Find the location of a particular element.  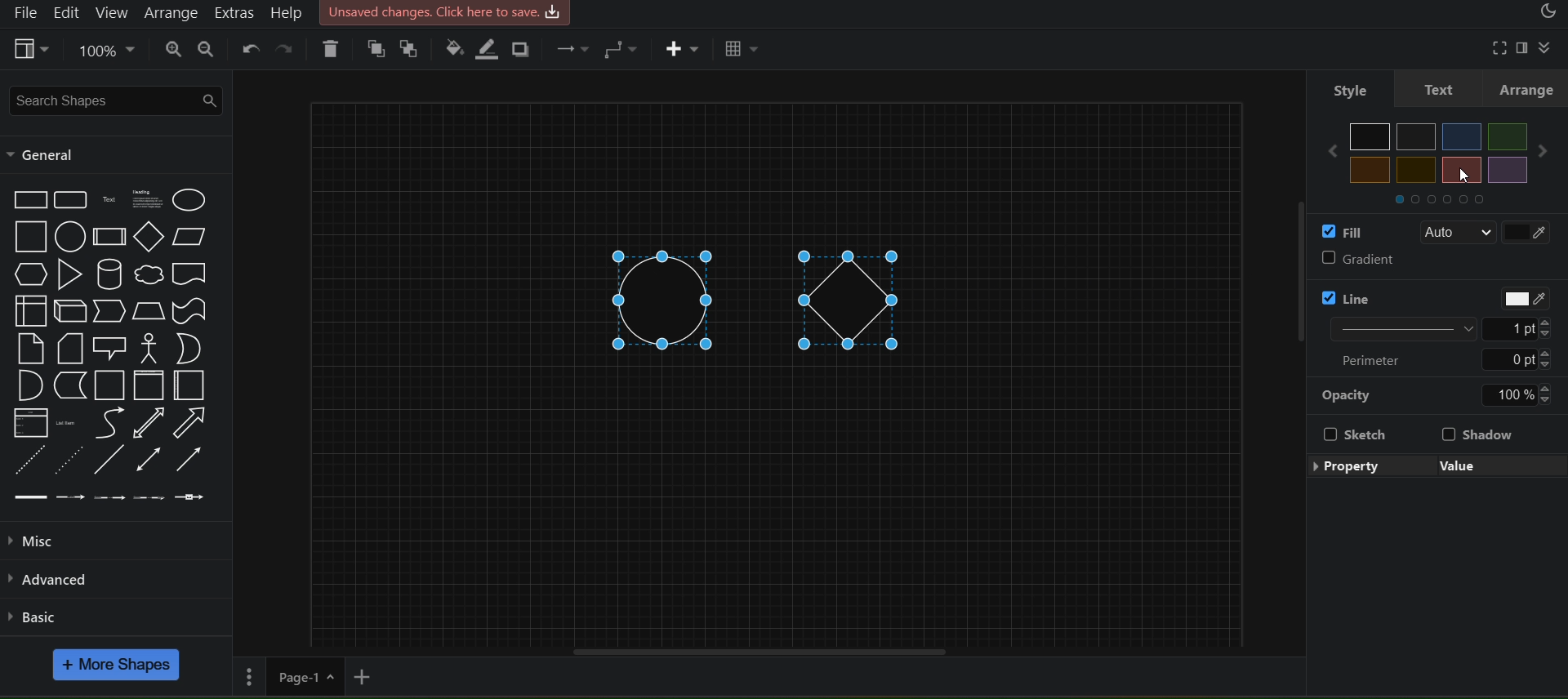

Triangle is located at coordinates (68, 274).